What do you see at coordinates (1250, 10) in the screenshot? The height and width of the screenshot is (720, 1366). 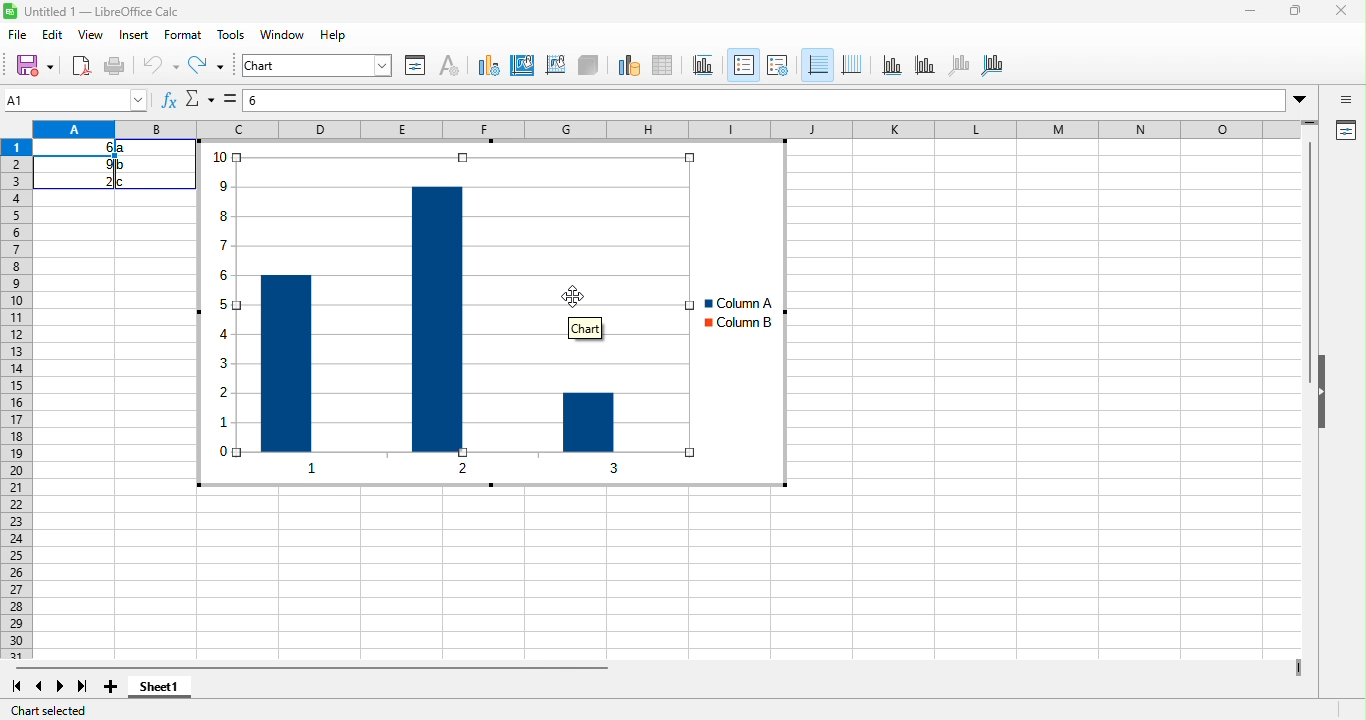 I see `minimize` at bounding box center [1250, 10].